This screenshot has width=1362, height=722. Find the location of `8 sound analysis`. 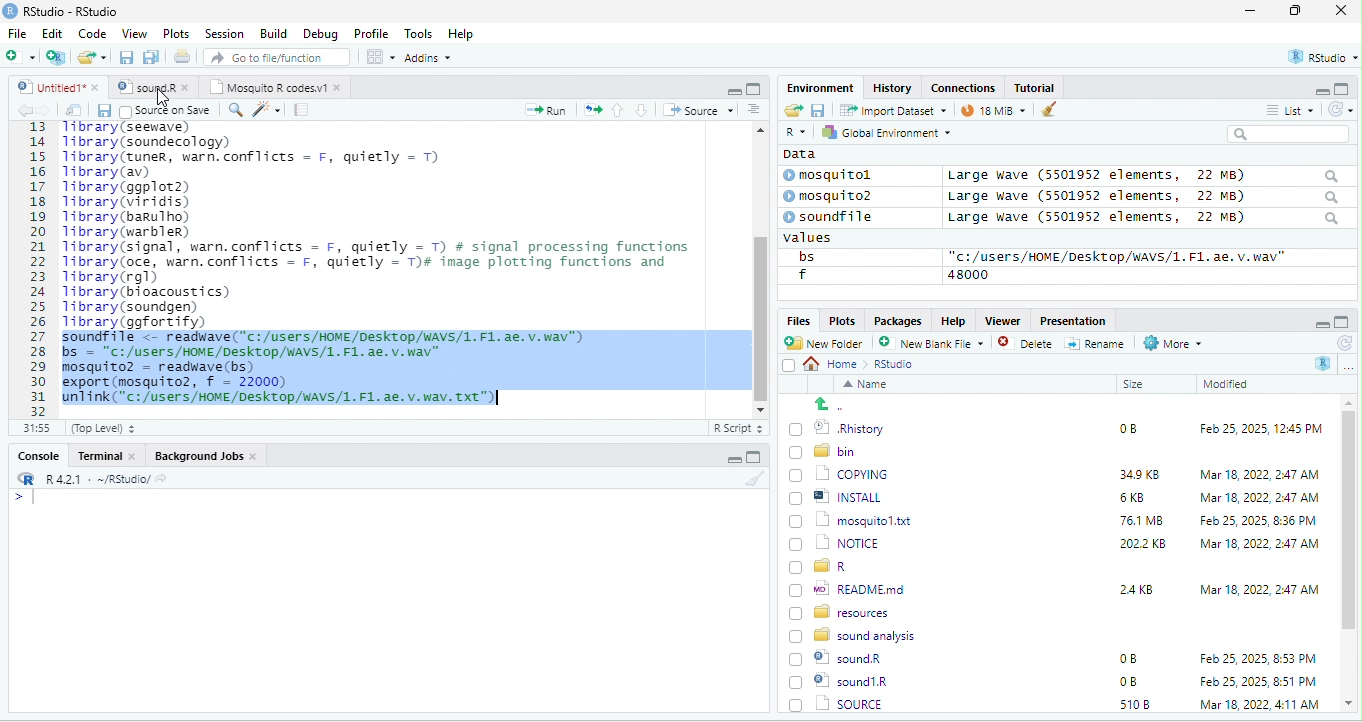

8 sound analysis is located at coordinates (855, 634).